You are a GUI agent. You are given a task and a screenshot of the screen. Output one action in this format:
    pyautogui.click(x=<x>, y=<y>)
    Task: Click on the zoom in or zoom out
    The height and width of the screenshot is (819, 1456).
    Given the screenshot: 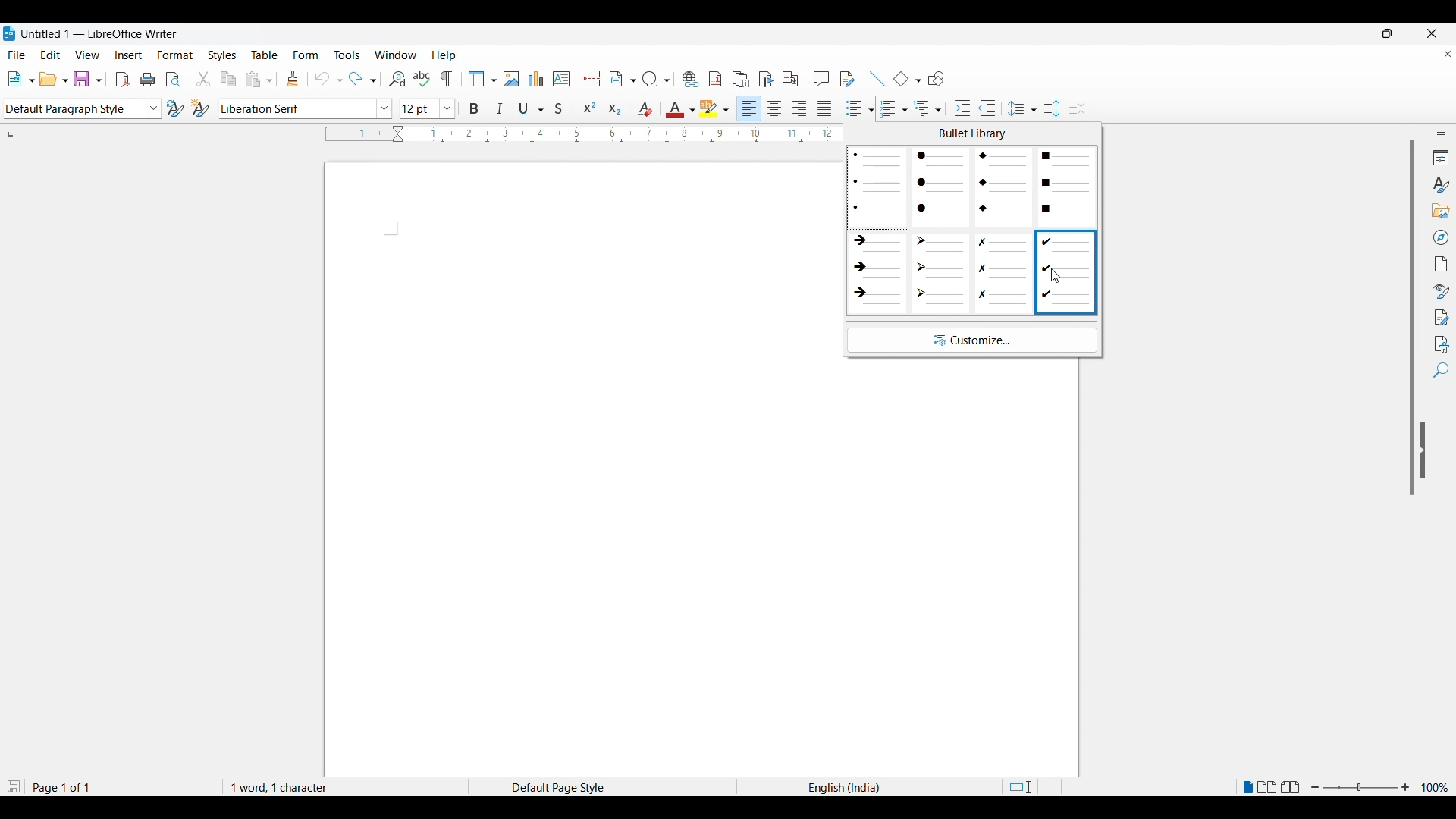 What is the action you would take?
    pyautogui.click(x=1362, y=787)
    